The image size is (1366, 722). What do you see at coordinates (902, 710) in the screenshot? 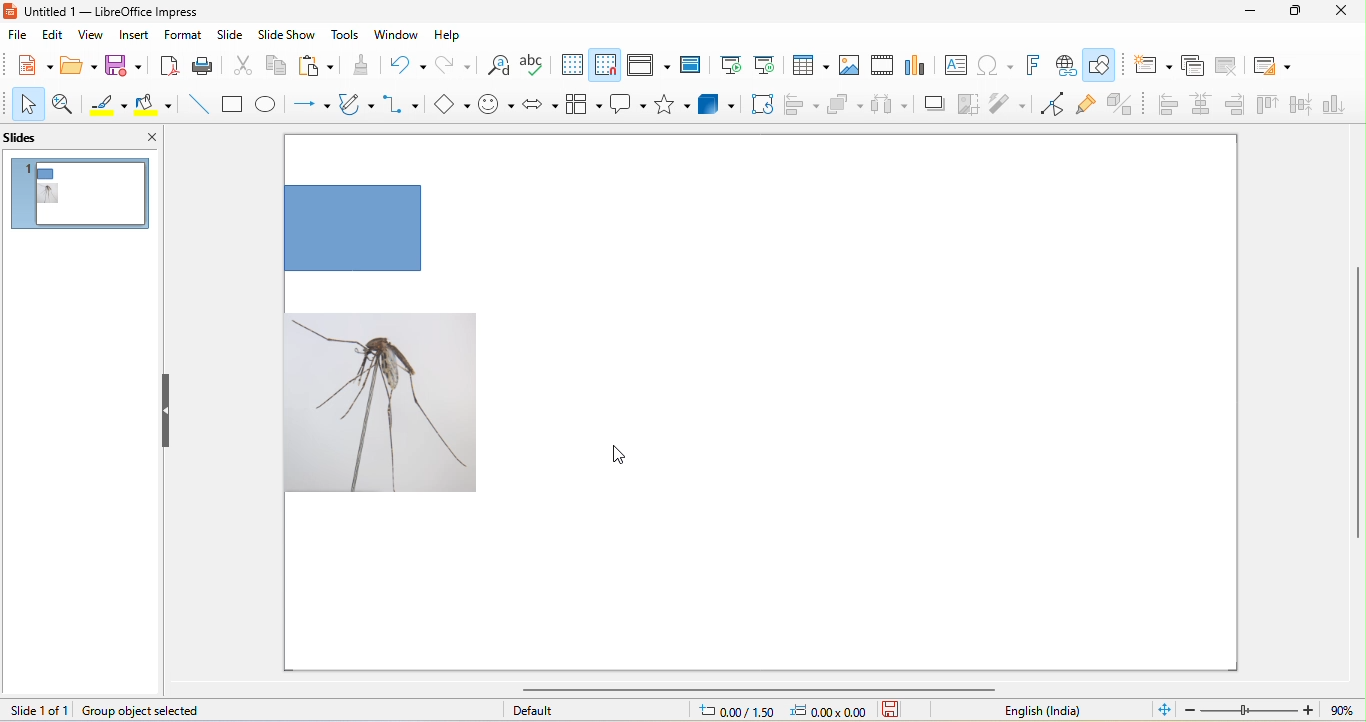
I see `standard selection` at bounding box center [902, 710].